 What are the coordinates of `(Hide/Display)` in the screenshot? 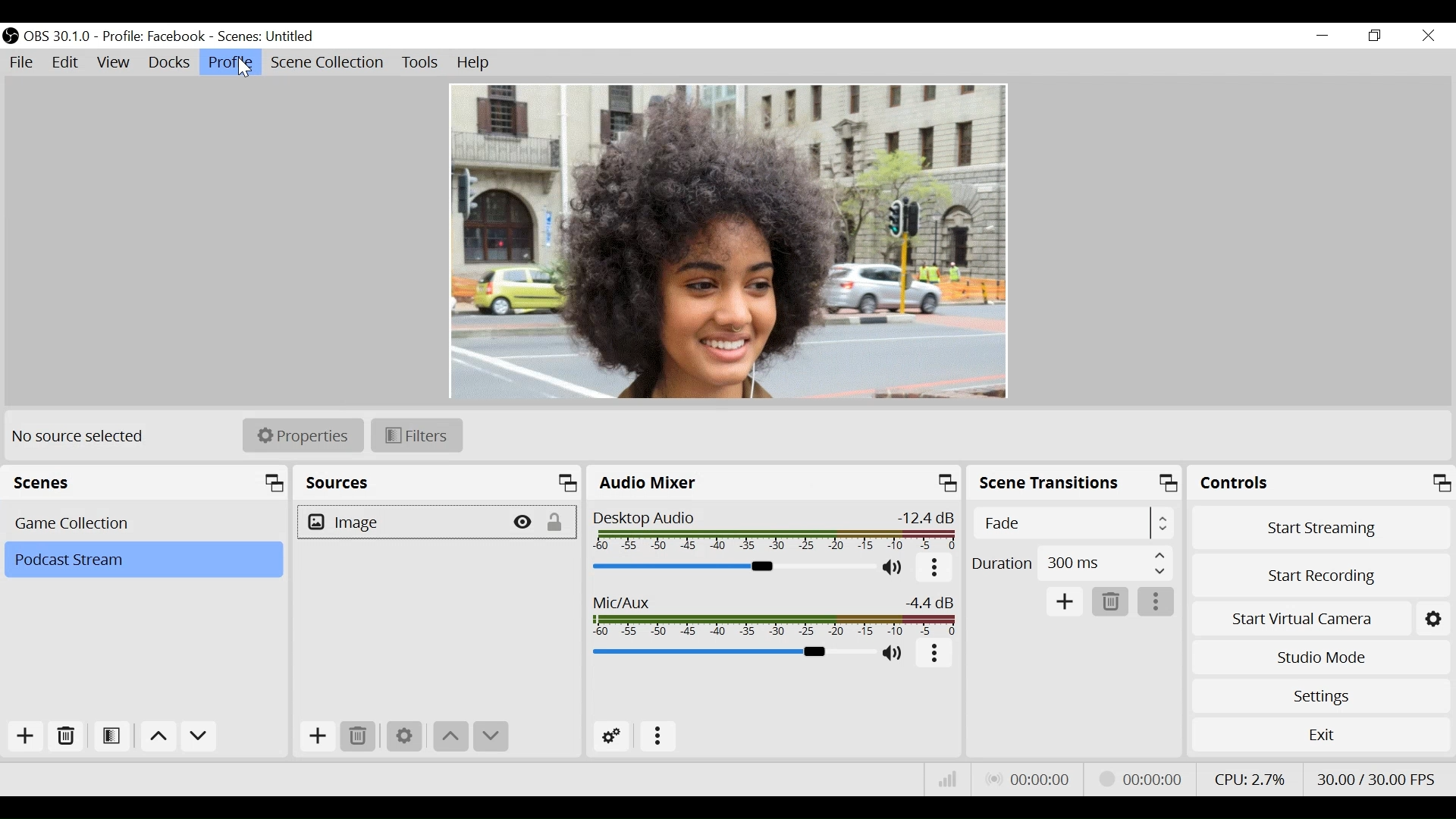 It's located at (526, 522).